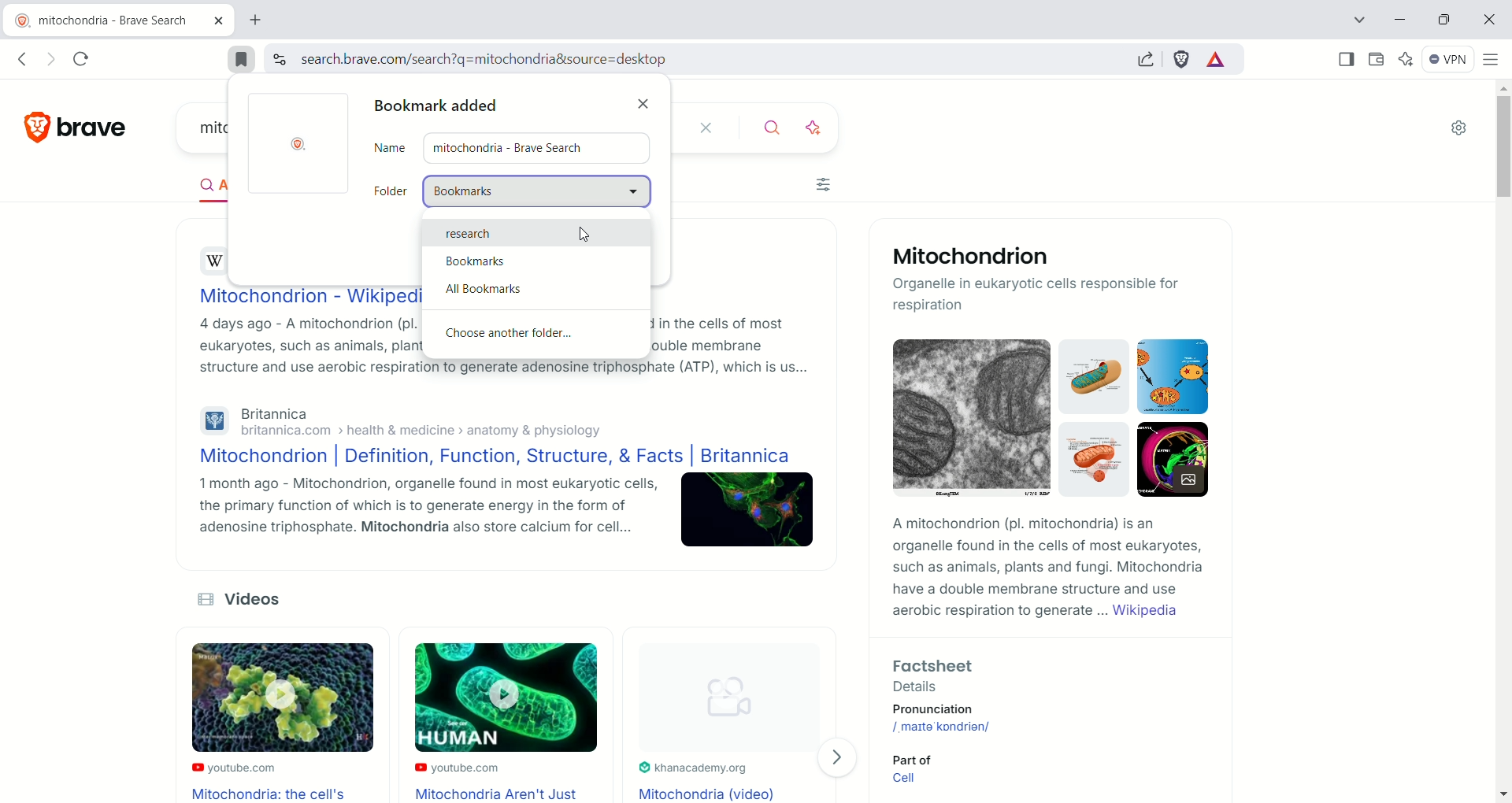 This screenshot has height=803, width=1512. I want to click on  search.brave.com/search?q=mitochondria&source=desktop, so click(480, 59).